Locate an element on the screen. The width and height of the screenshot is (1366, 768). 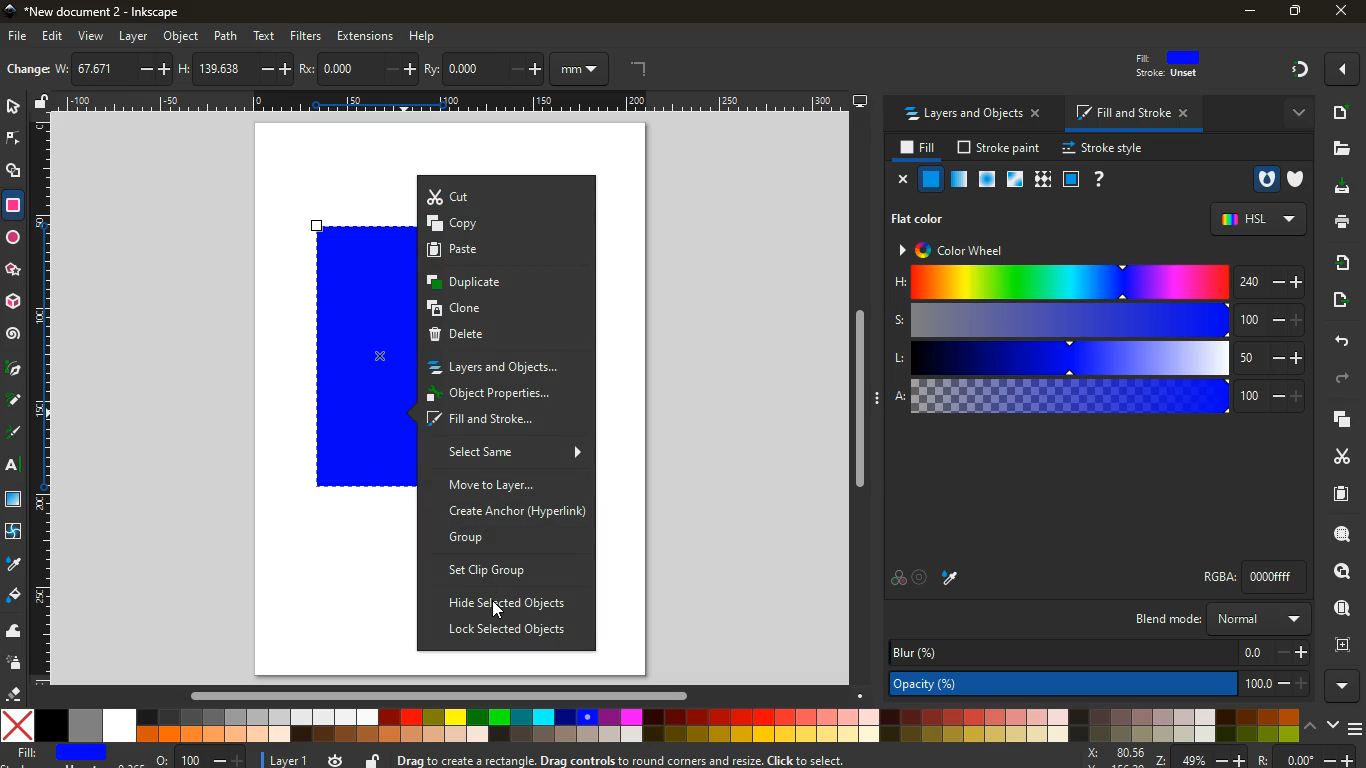
time is located at coordinates (337, 760).